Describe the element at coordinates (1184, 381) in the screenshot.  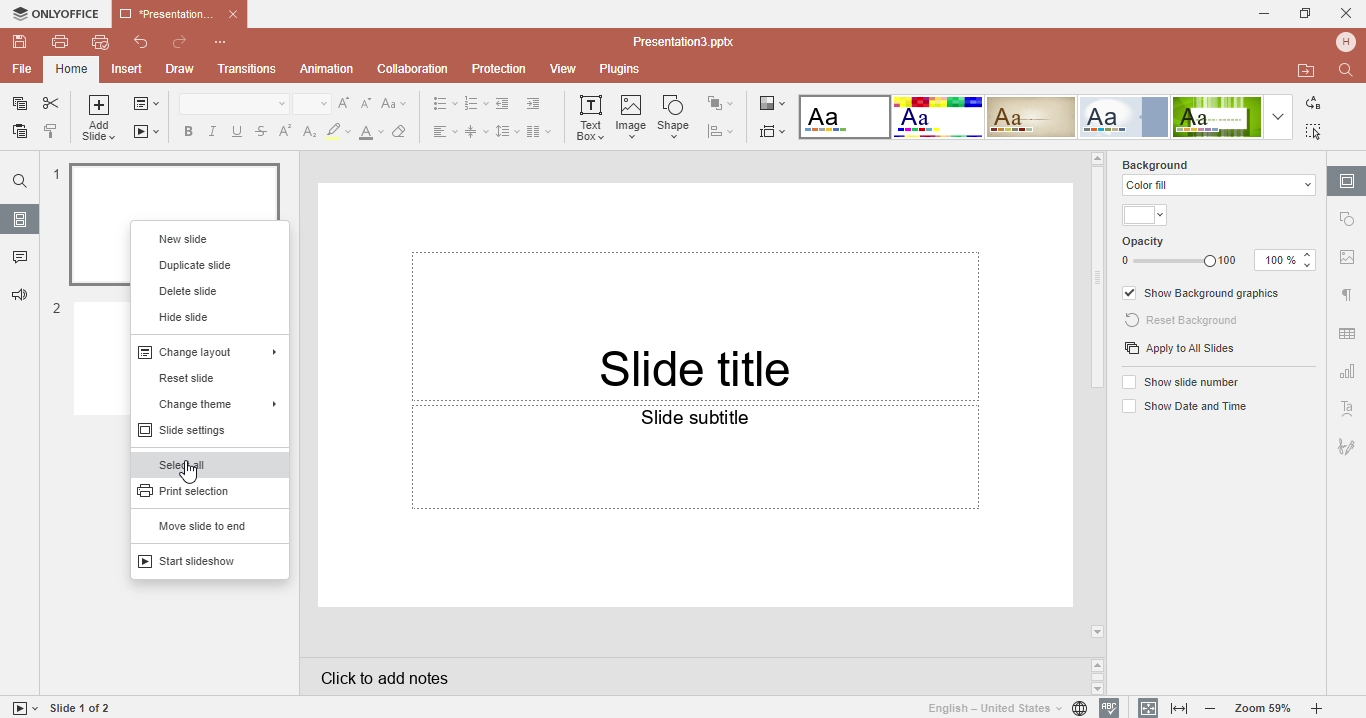
I see `Show slide numbers` at that location.